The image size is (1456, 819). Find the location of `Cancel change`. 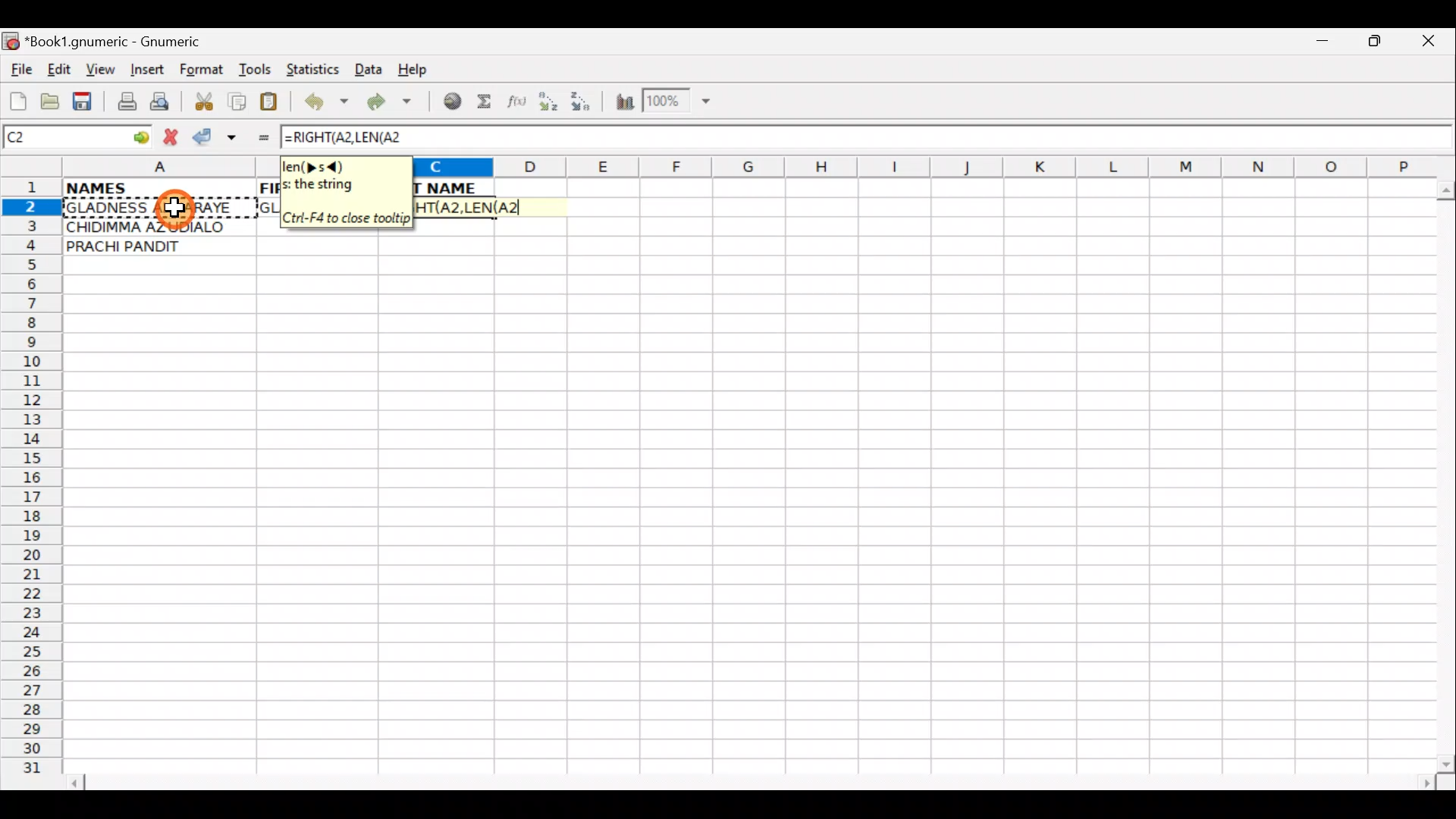

Cancel change is located at coordinates (174, 134).